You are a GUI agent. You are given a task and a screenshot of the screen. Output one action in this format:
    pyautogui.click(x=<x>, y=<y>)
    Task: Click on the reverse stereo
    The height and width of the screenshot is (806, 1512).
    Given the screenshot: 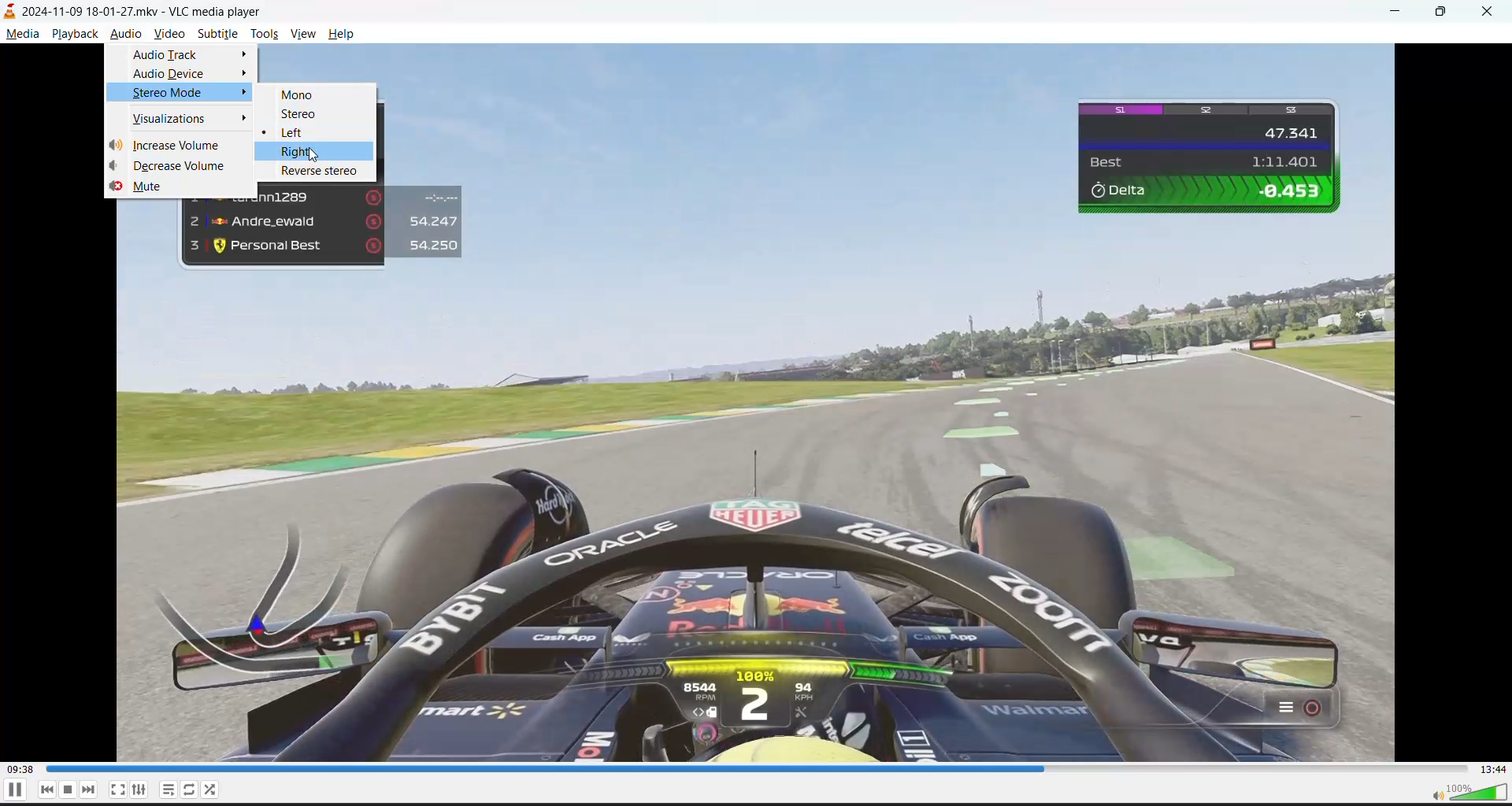 What is the action you would take?
    pyautogui.click(x=321, y=173)
    